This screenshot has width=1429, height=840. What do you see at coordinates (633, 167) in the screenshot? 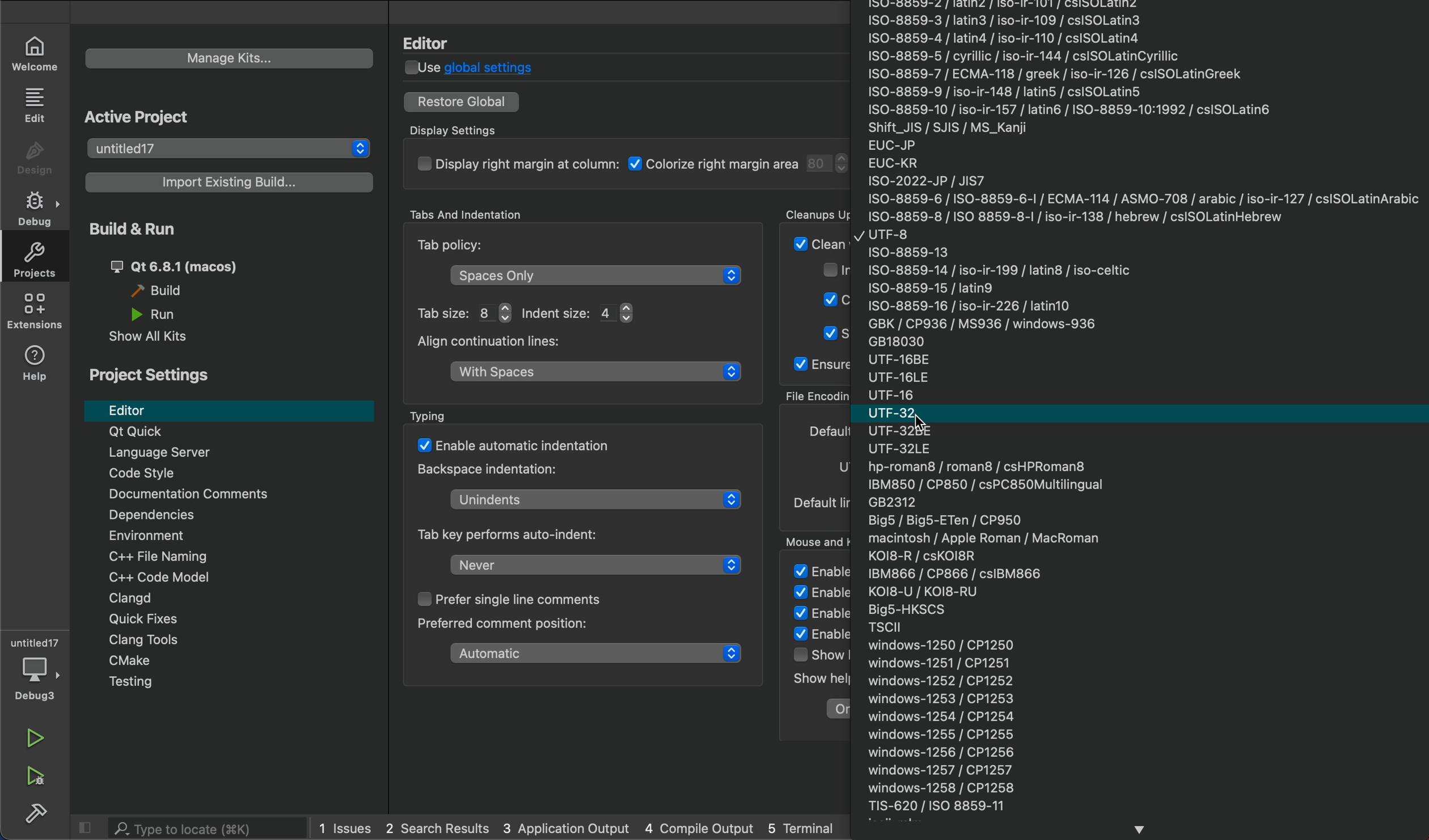
I see `display setings` at bounding box center [633, 167].